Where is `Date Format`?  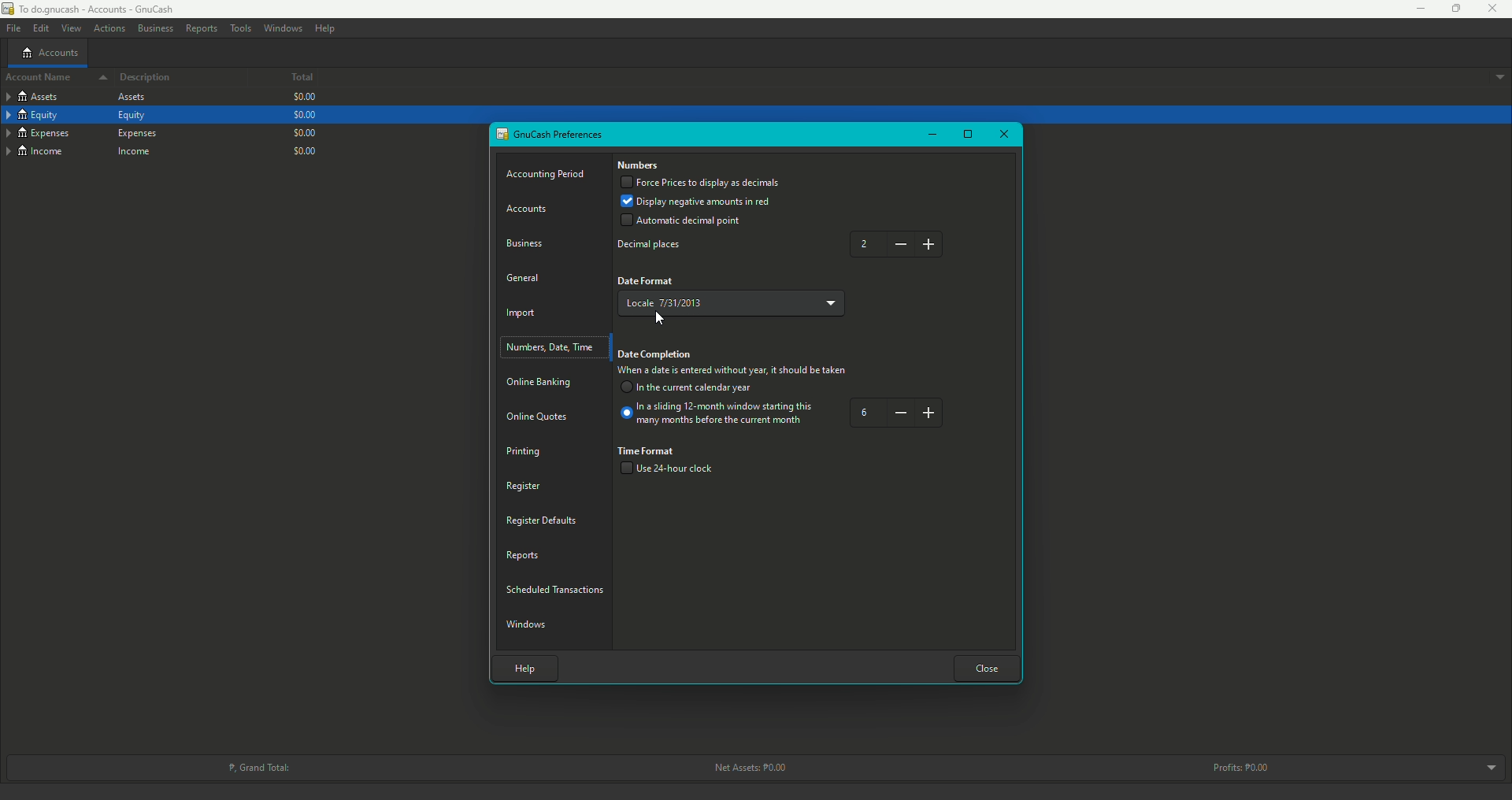 Date Format is located at coordinates (647, 281).